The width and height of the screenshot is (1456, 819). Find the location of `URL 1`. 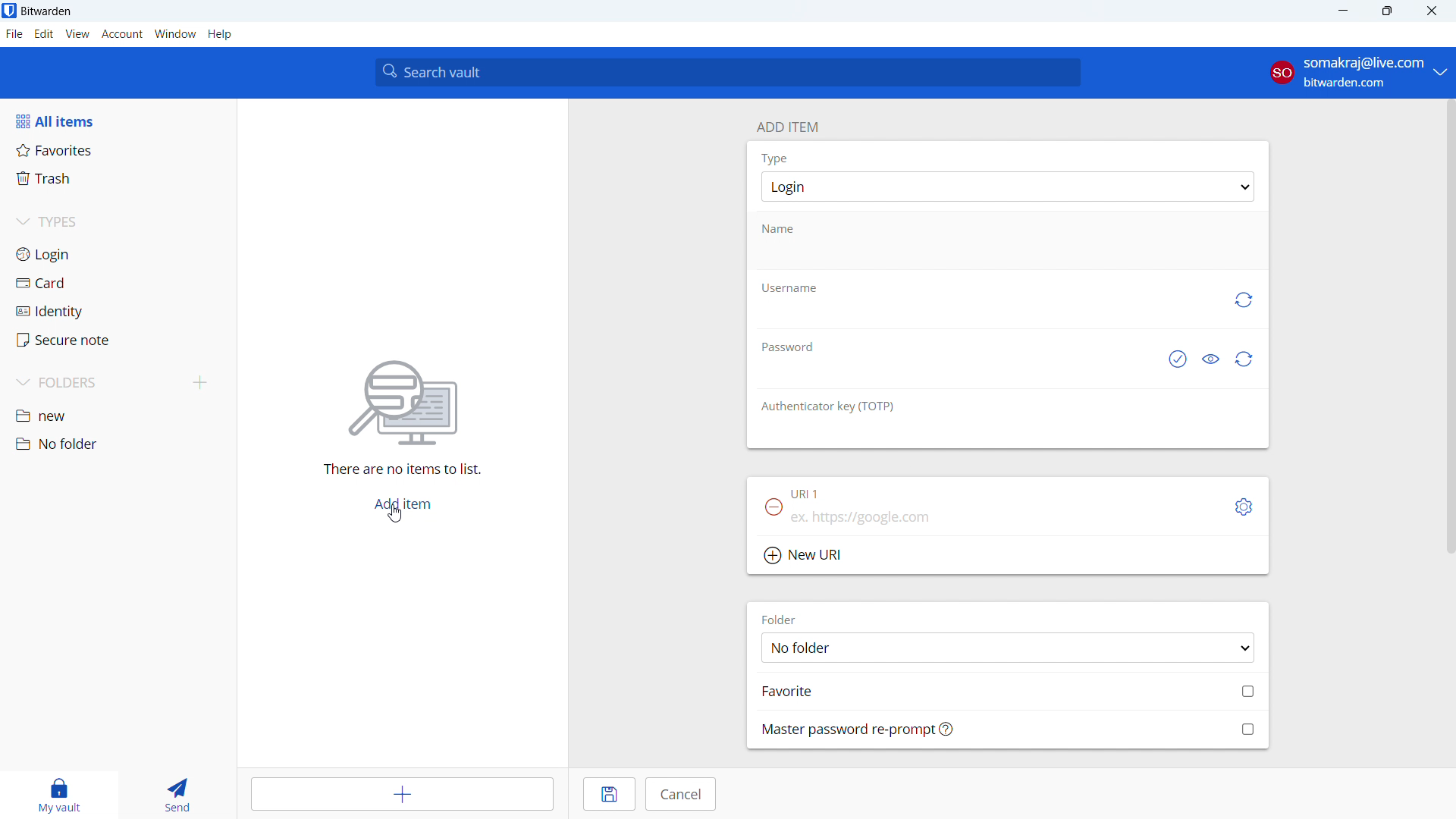

URL 1 is located at coordinates (808, 495).